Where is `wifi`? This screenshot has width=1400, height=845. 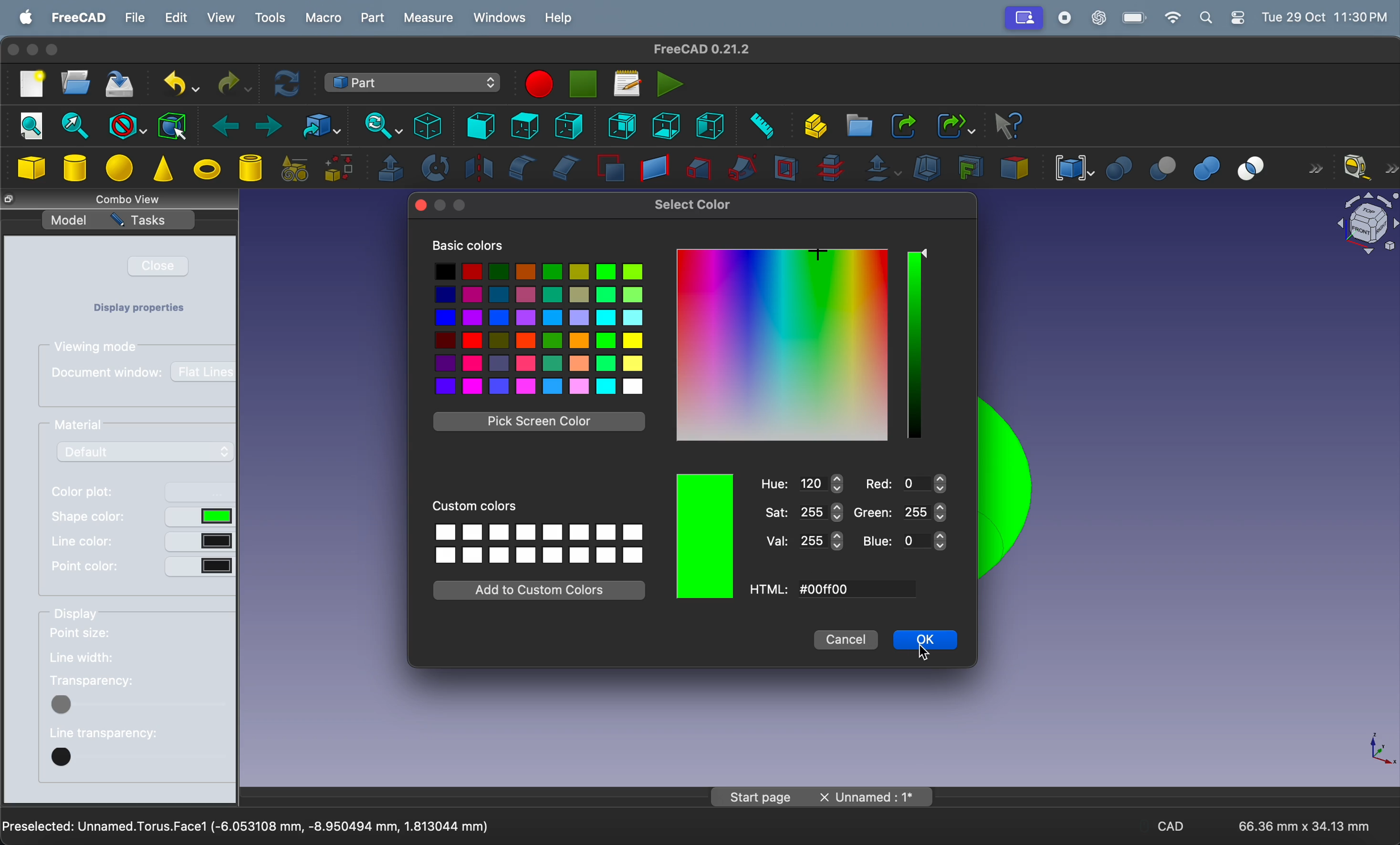
wifi is located at coordinates (1174, 17).